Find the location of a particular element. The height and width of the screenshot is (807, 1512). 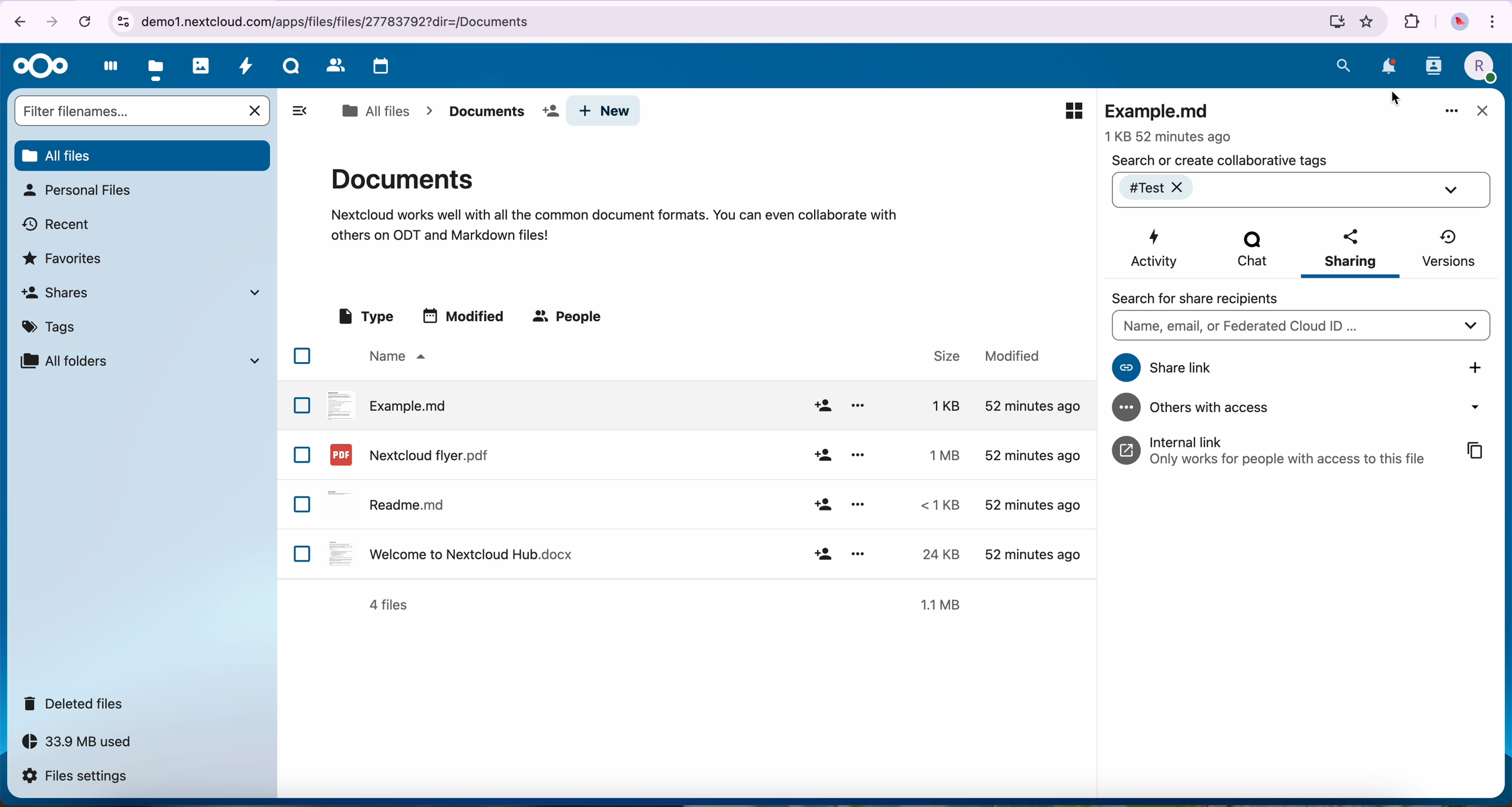

share link is located at coordinates (1258, 368).